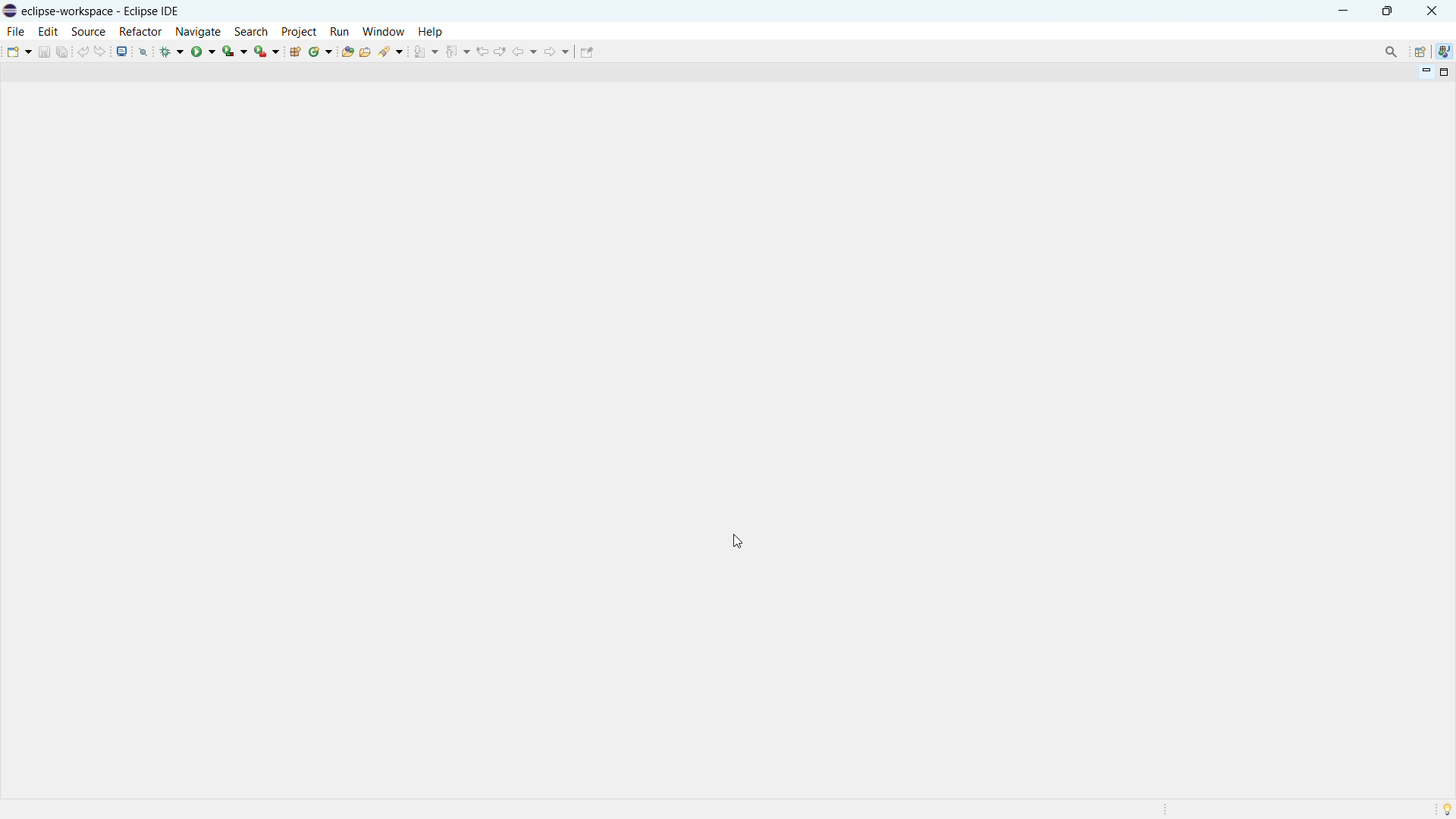 The image size is (1456, 819). Describe the element at coordinates (340, 31) in the screenshot. I see `run` at that location.